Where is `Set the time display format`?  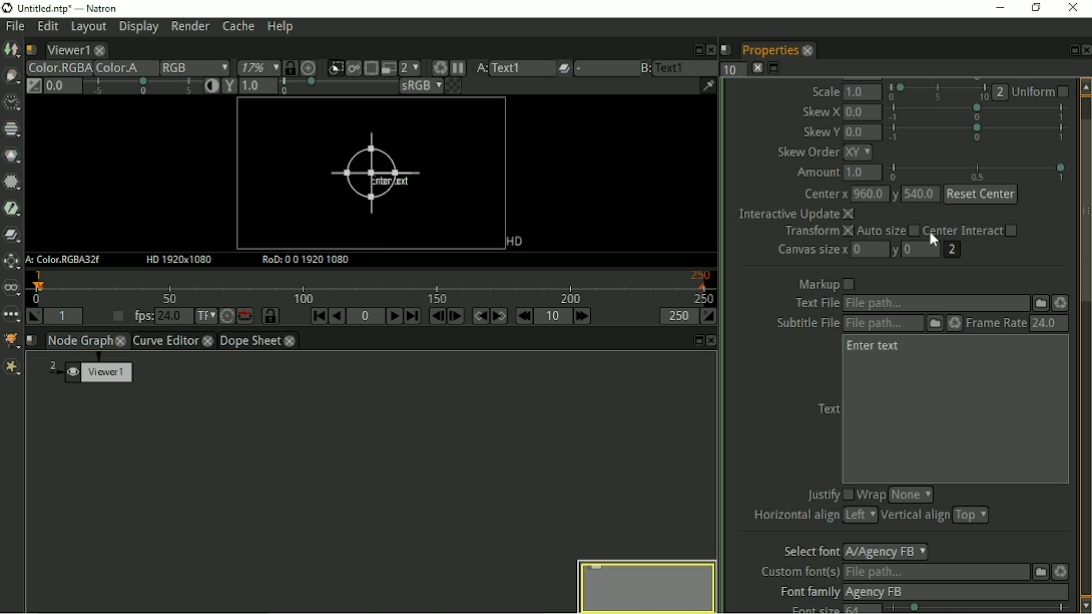 Set the time display format is located at coordinates (206, 316).